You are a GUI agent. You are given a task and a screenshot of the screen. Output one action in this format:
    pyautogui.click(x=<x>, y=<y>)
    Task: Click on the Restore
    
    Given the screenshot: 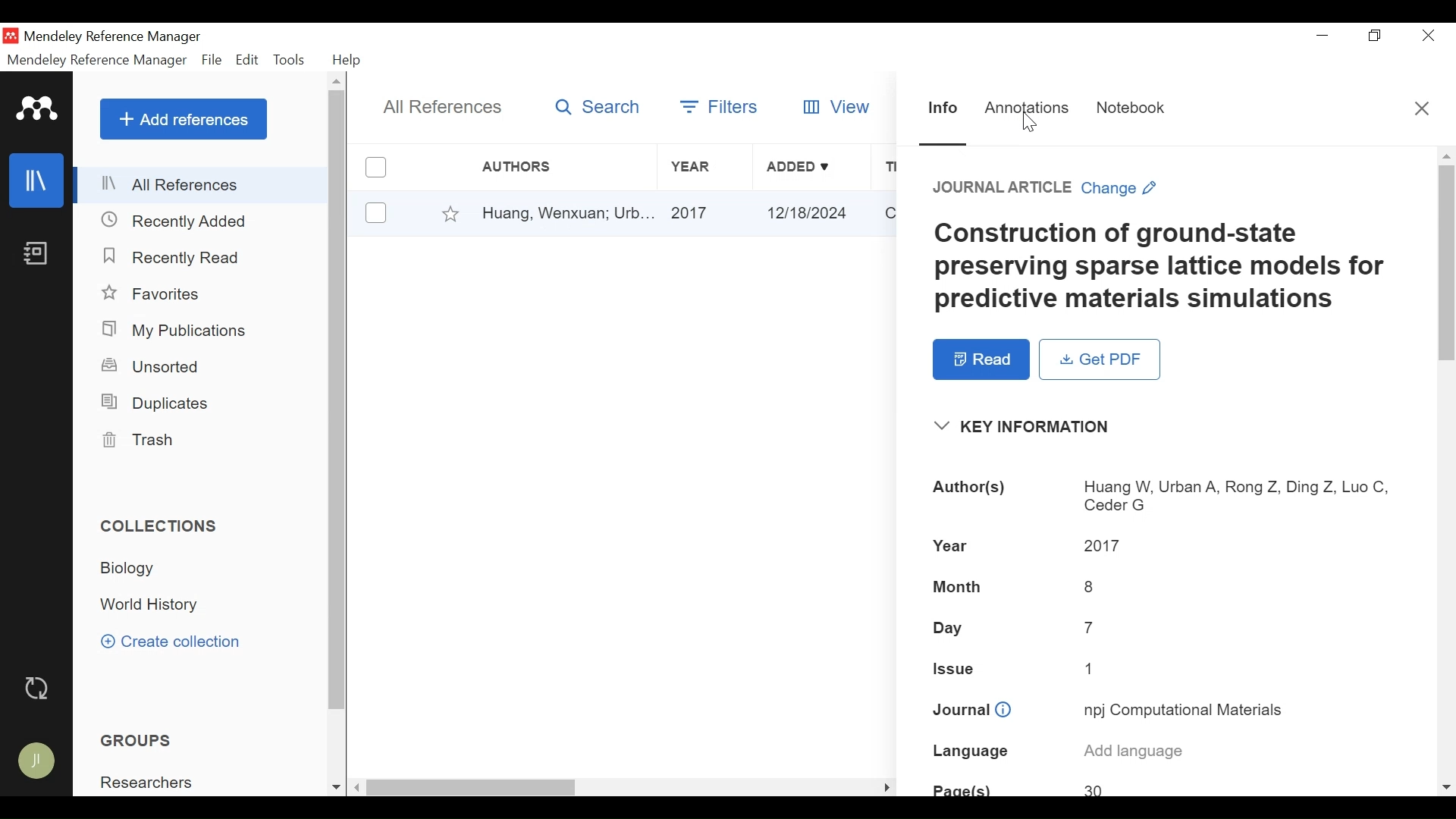 What is the action you would take?
    pyautogui.click(x=1375, y=37)
    